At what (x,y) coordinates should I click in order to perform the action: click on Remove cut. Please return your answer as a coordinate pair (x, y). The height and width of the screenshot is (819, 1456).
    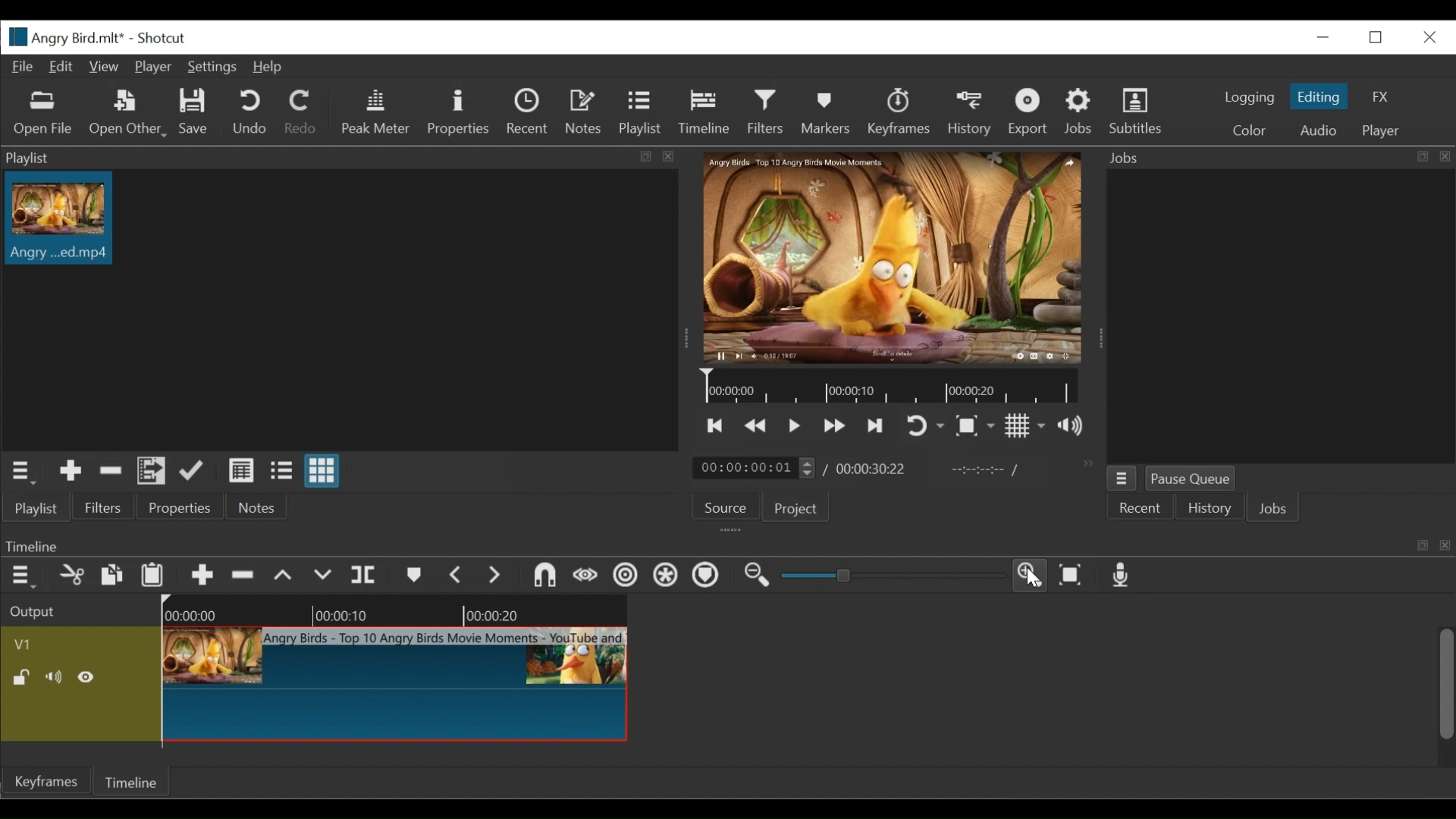
    Looking at the image, I should click on (112, 474).